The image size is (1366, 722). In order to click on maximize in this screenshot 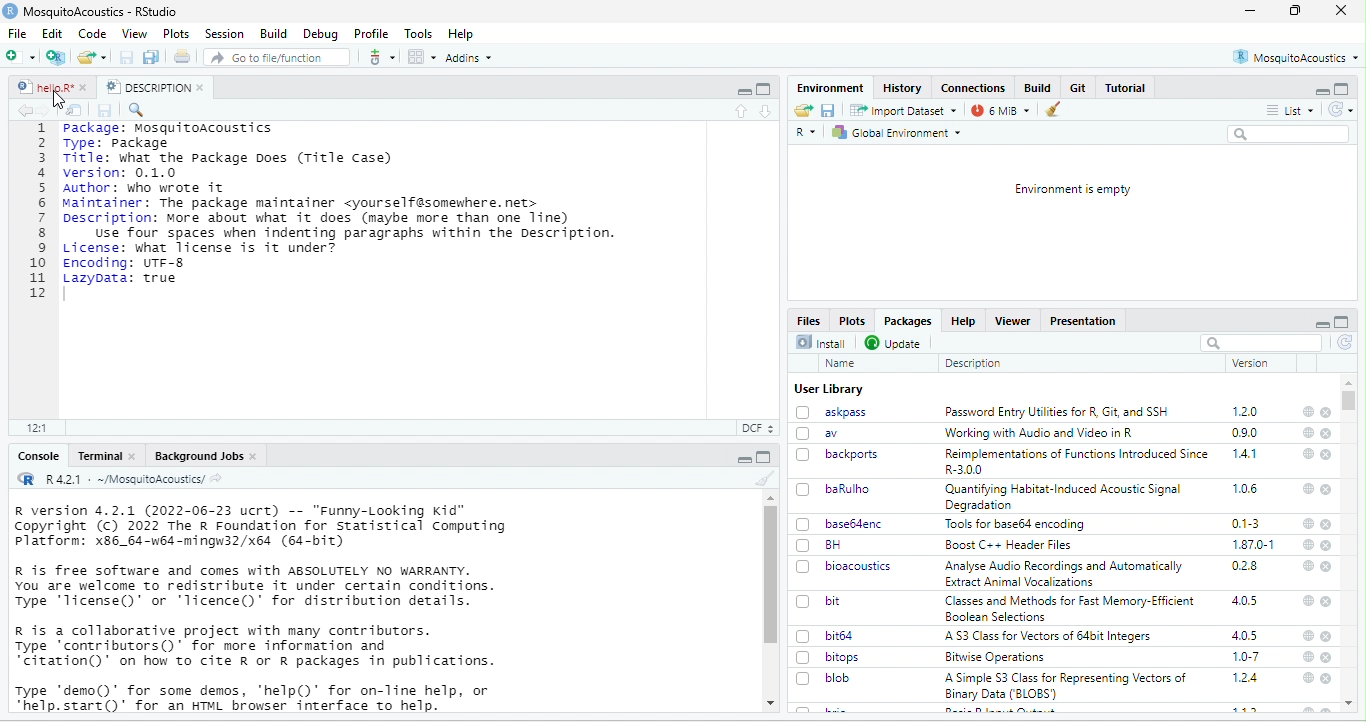, I will do `click(1342, 89)`.